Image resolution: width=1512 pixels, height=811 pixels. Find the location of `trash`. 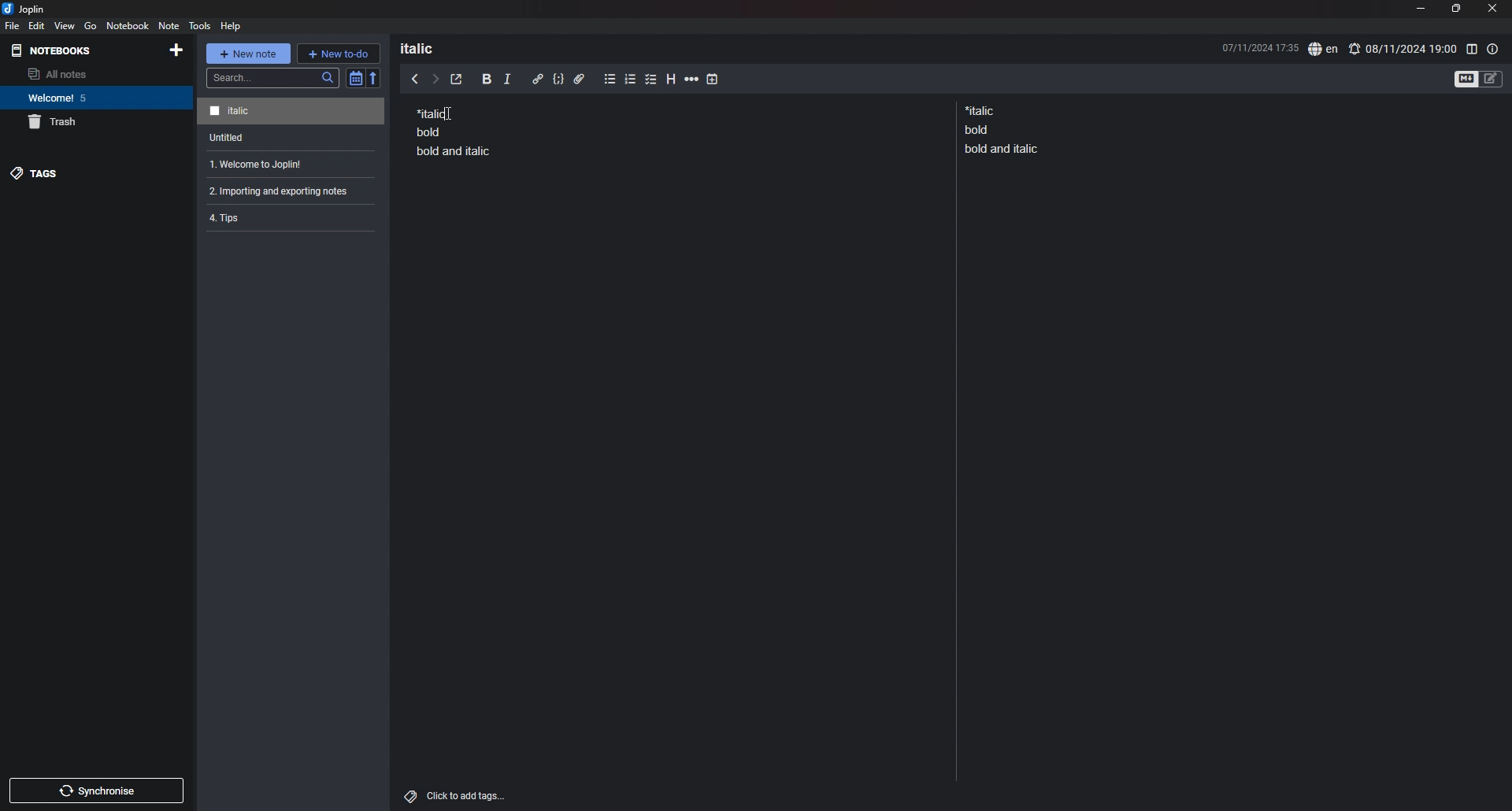

trash is located at coordinates (97, 122).